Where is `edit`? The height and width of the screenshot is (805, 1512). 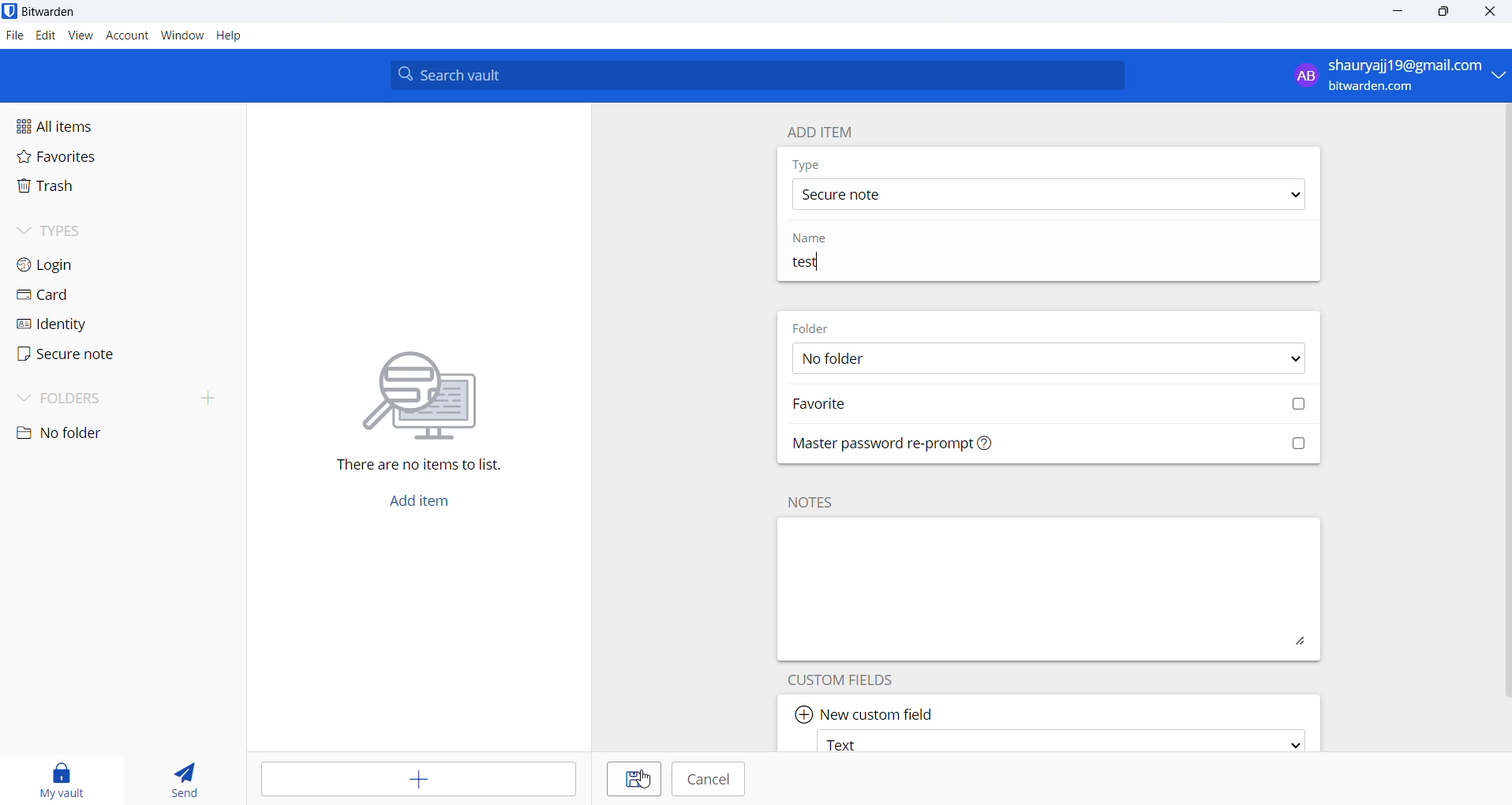 edit is located at coordinates (43, 35).